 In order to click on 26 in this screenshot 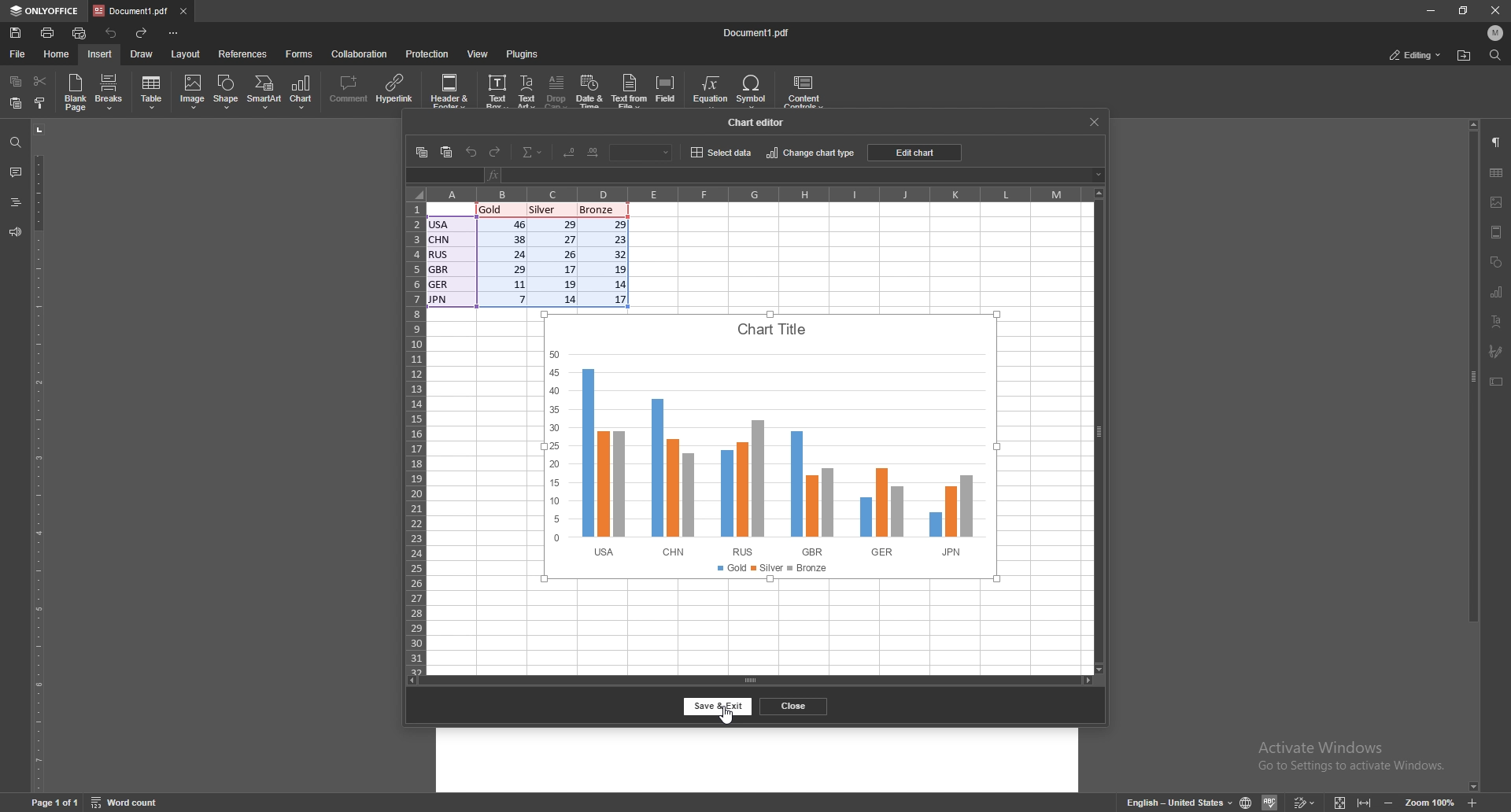, I will do `click(565, 253)`.